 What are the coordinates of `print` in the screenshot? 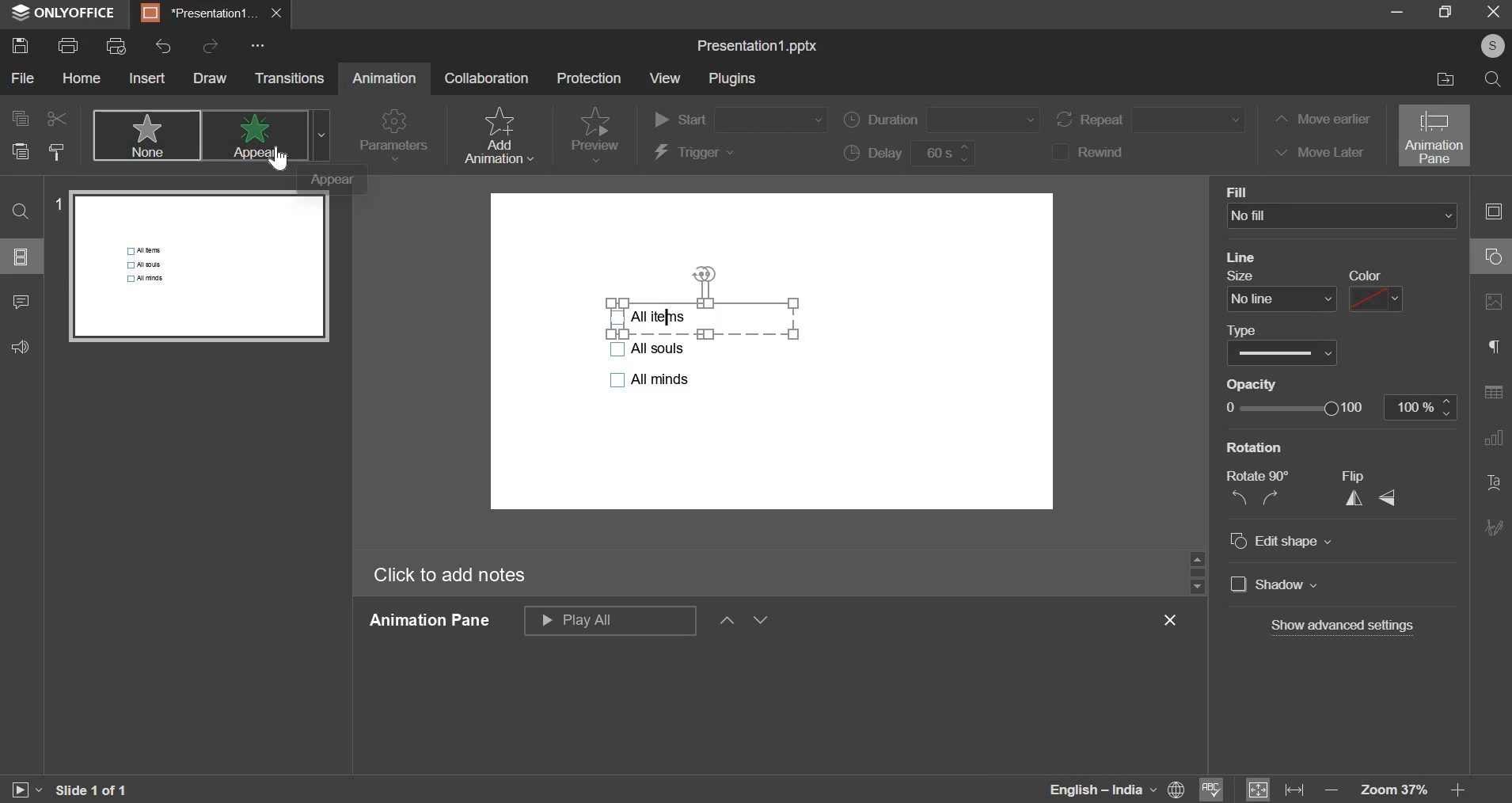 It's located at (68, 44).